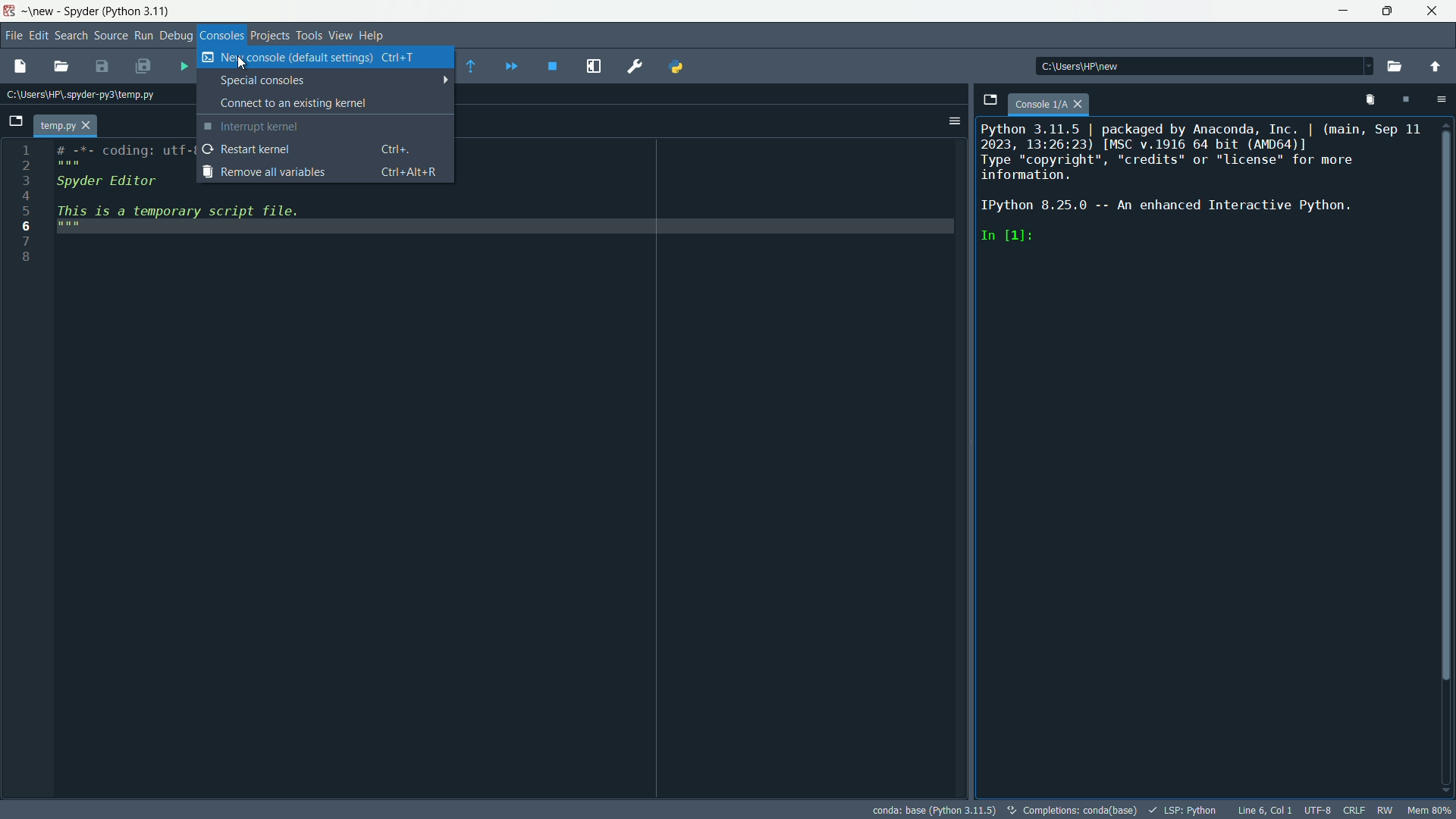 Image resolution: width=1456 pixels, height=819 pixels. Describe the element at coordinates (1089, 66) in the screenshot. I see `directory: c:\users\hp\new` at that location.